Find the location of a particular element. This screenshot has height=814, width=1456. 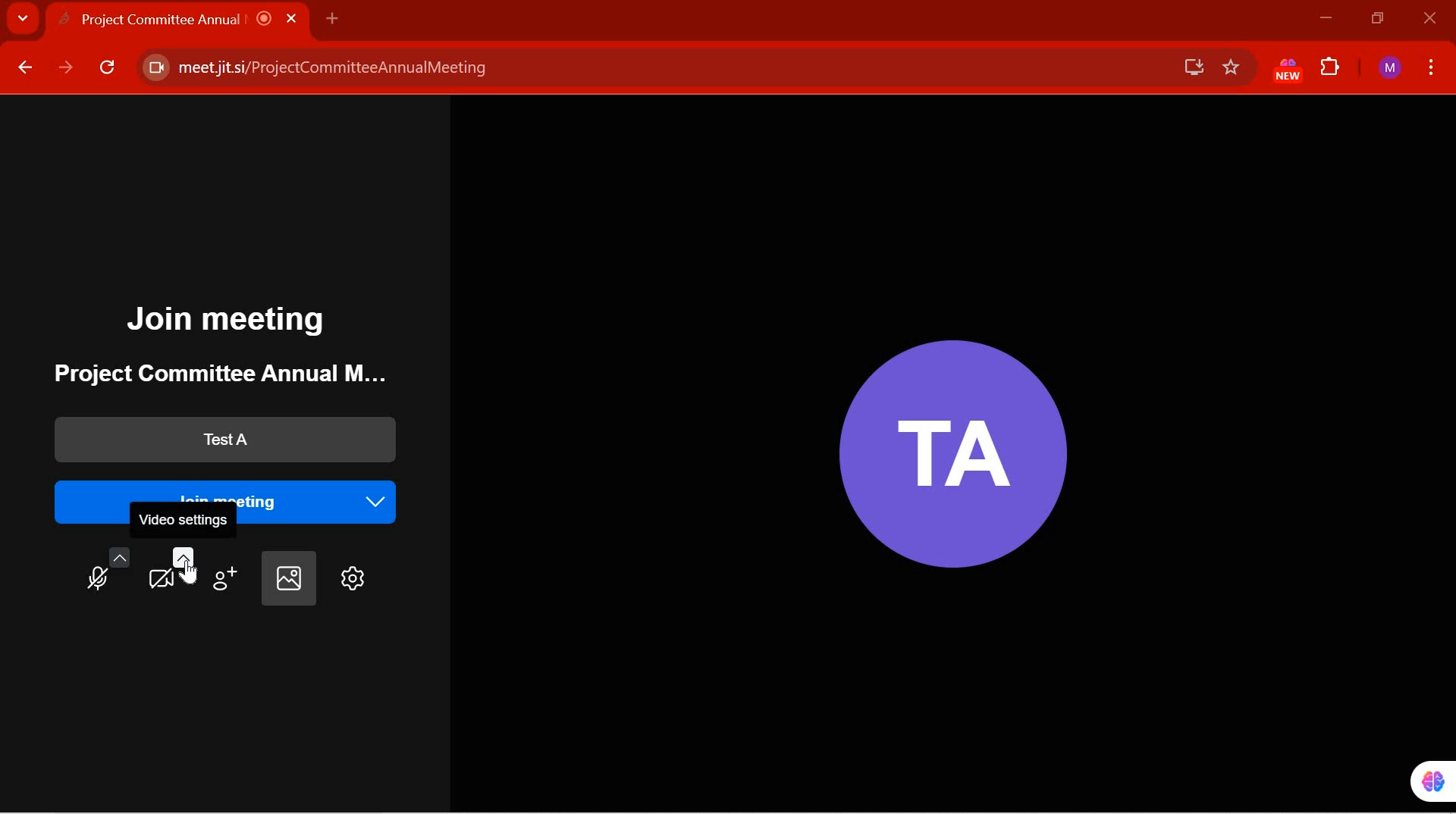

pinned extension is located at coordinates (1422, 781).